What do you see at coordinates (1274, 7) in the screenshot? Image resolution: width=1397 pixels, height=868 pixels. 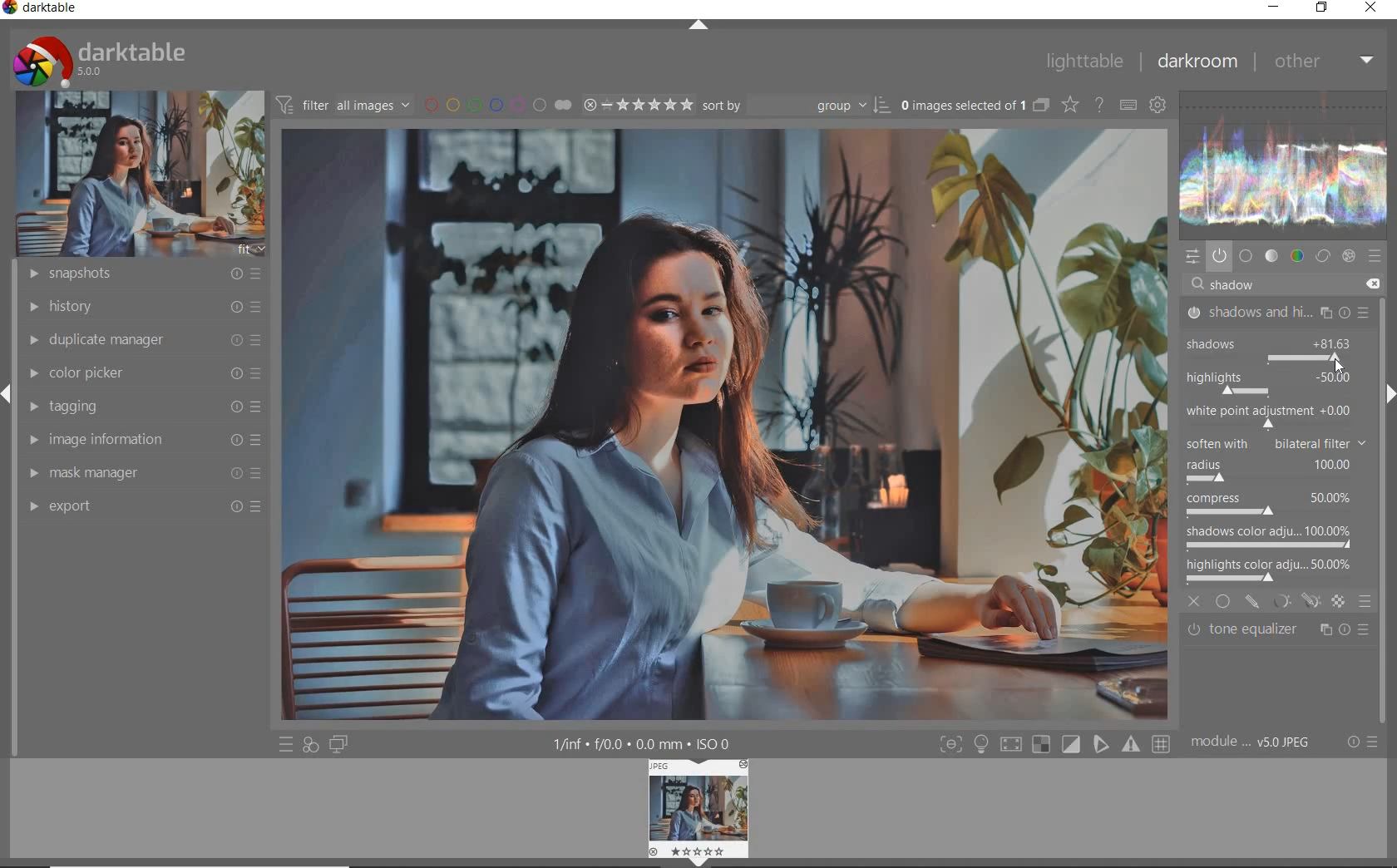 I see `minimize` at bounding box center [1274, 7].